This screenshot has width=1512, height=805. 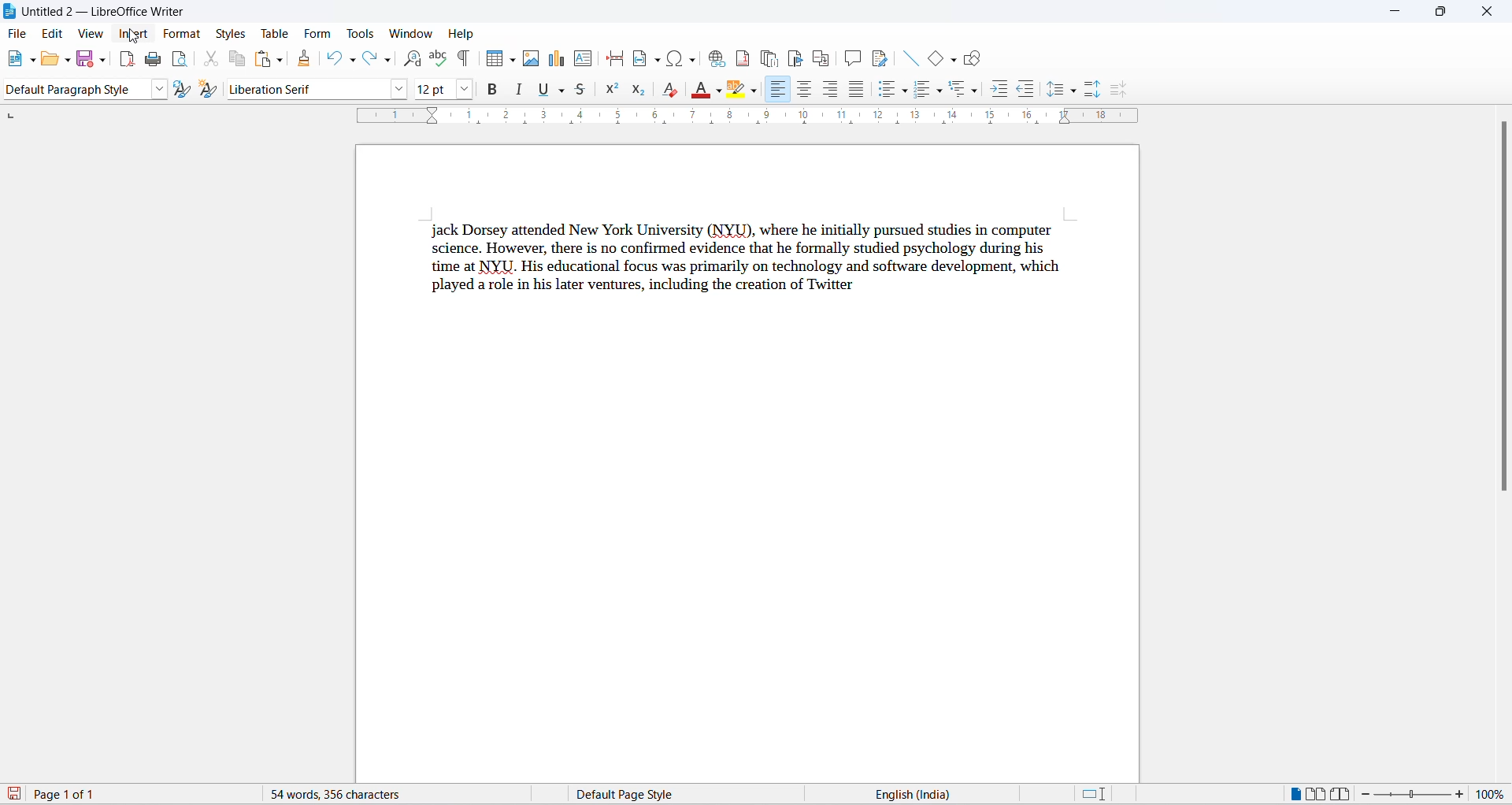 I want to click on decrease paragraph spacing, so click(x=1119, y=90).